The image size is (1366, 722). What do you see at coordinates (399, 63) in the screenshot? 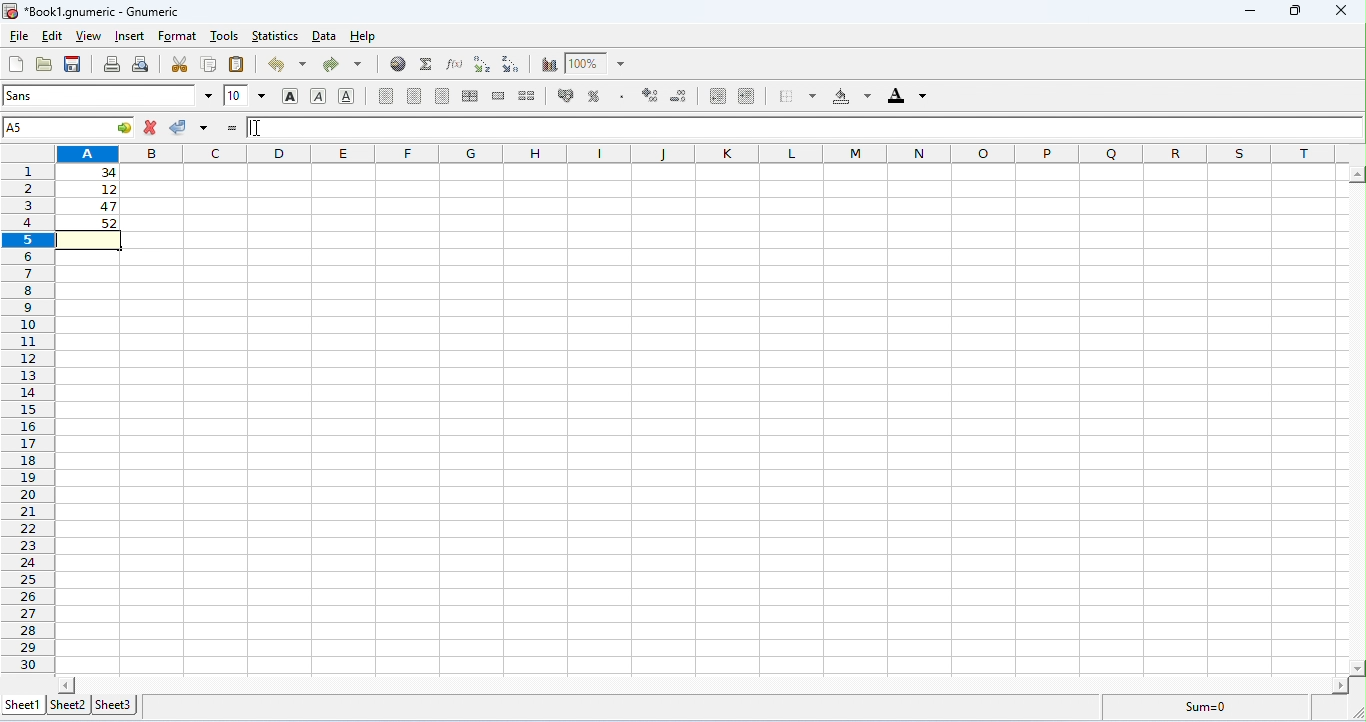
I see `insert hyperlink` at bounding box center [399, 63].